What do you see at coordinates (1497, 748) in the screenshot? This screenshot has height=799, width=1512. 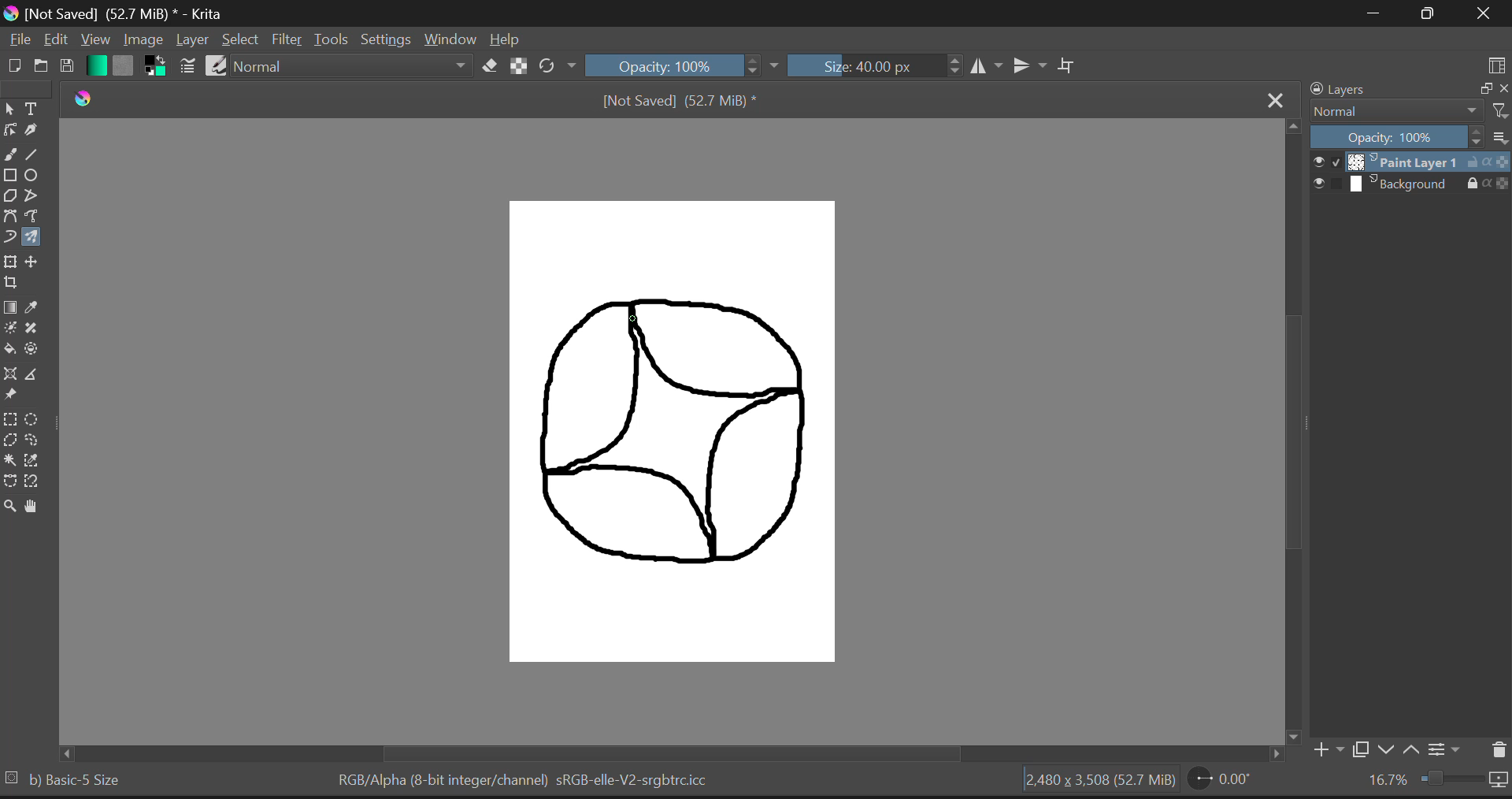 I see `Delete Layers` at bounding box center [1497, 748].